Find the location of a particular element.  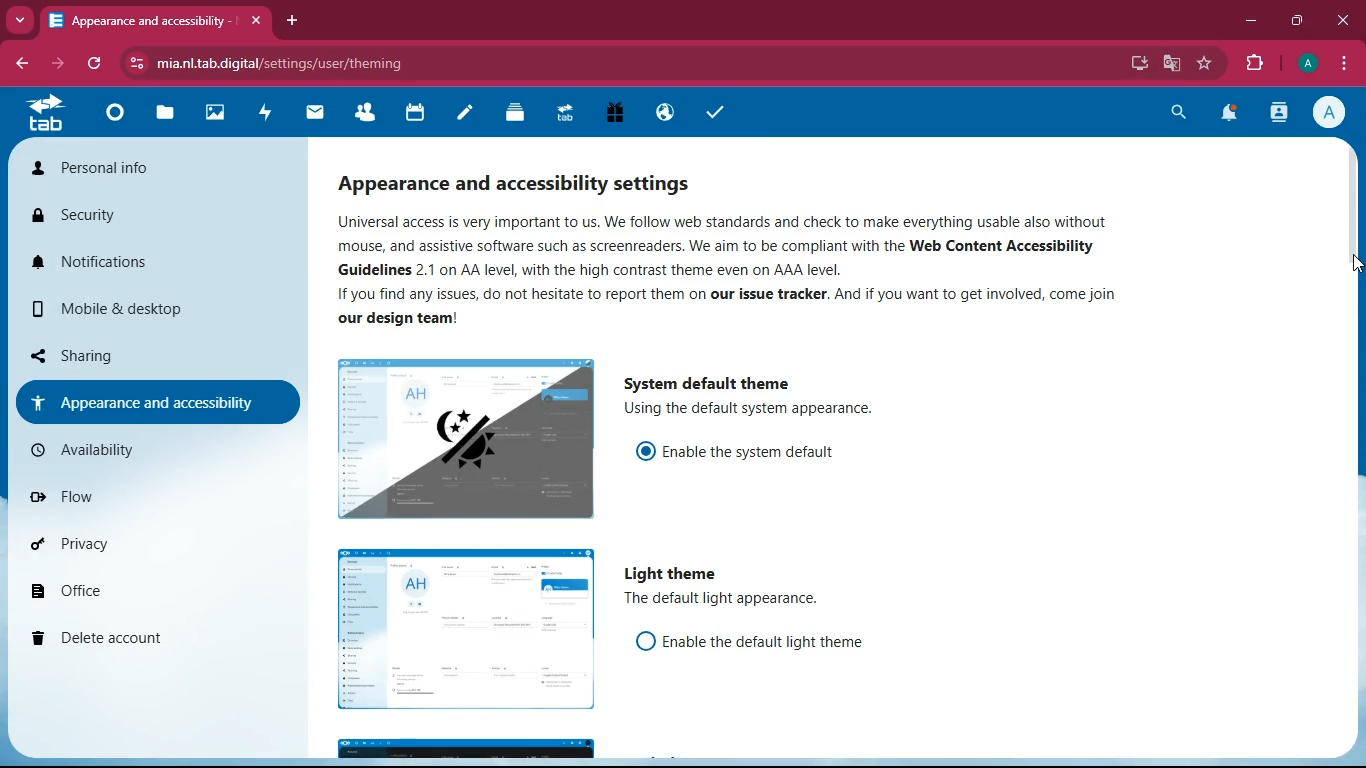

calendar is located at coordinates (412, 113).